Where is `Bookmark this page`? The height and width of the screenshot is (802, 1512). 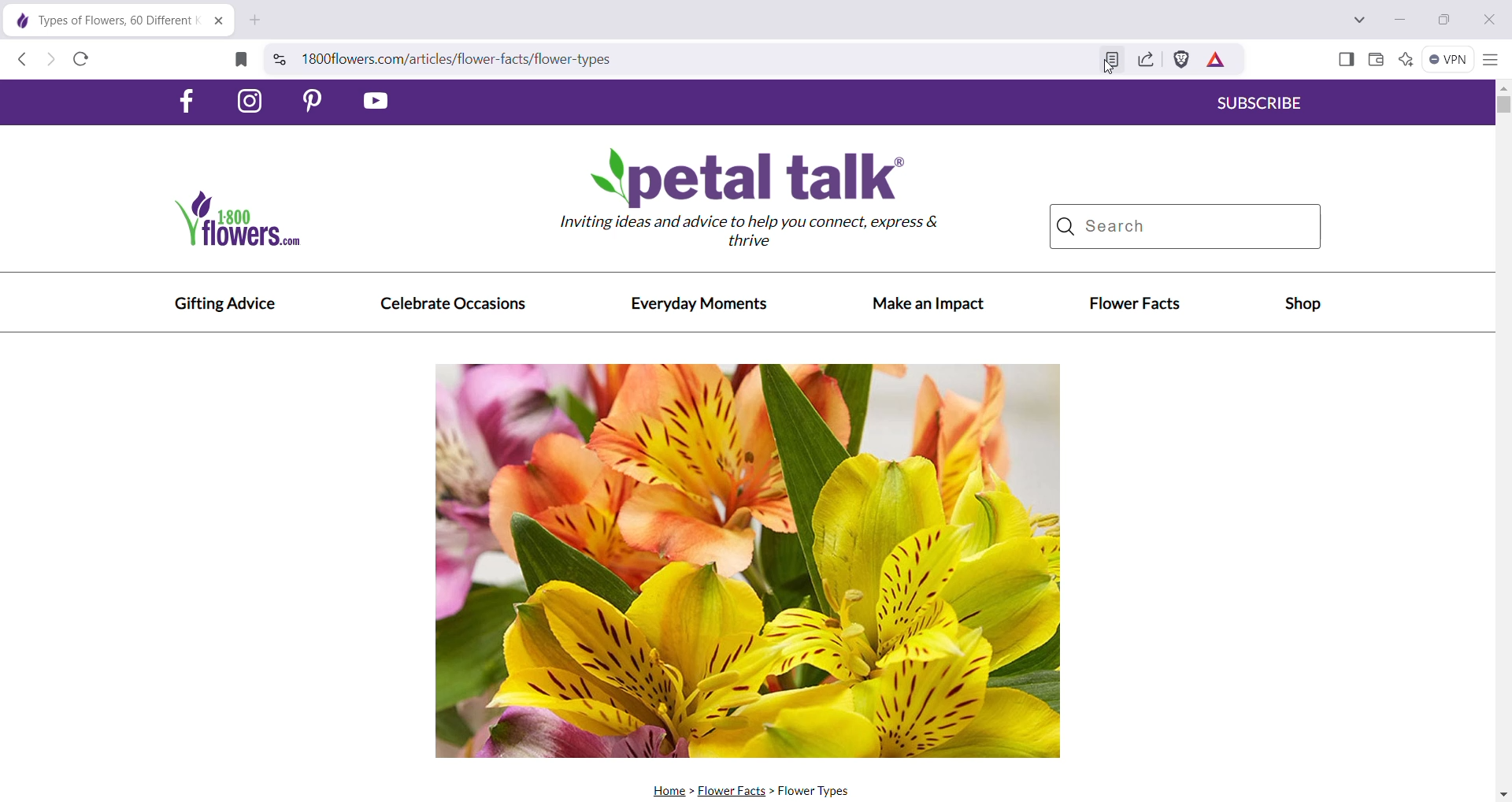
Bookmark this page is located at coordinates (238, 59).